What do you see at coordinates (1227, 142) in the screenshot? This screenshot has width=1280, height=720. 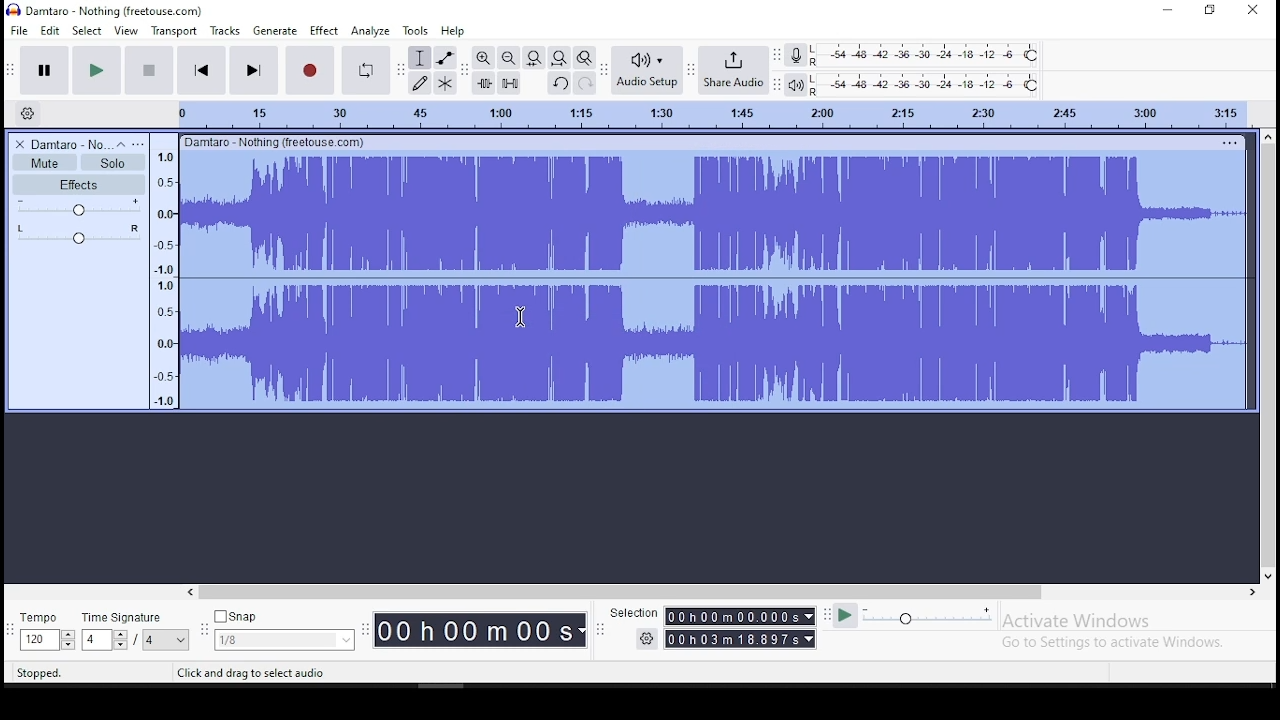 I see `menu` at bounding box center [1227, 142].